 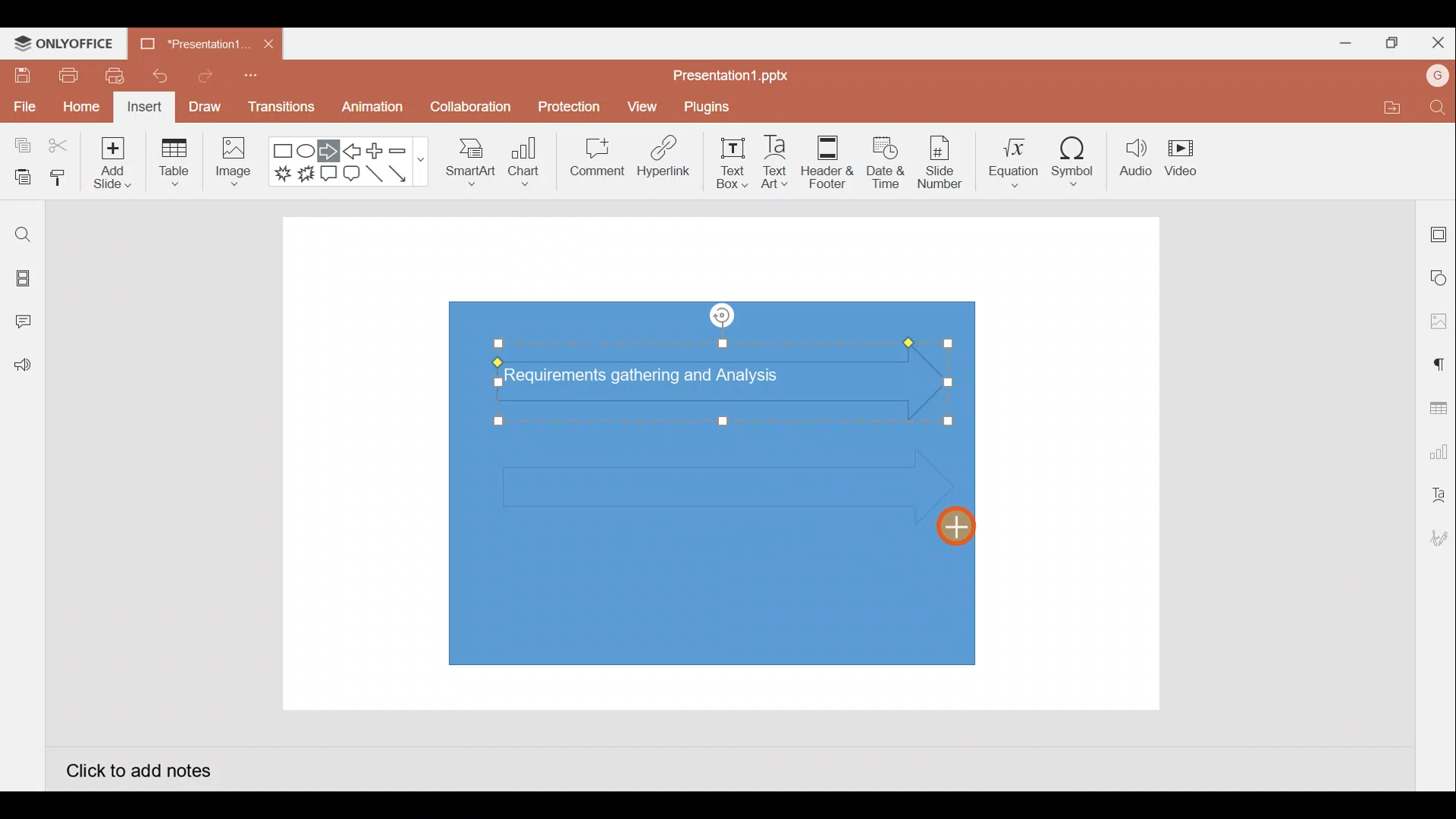 I want to click on Close, so click(x=1435, y=39).